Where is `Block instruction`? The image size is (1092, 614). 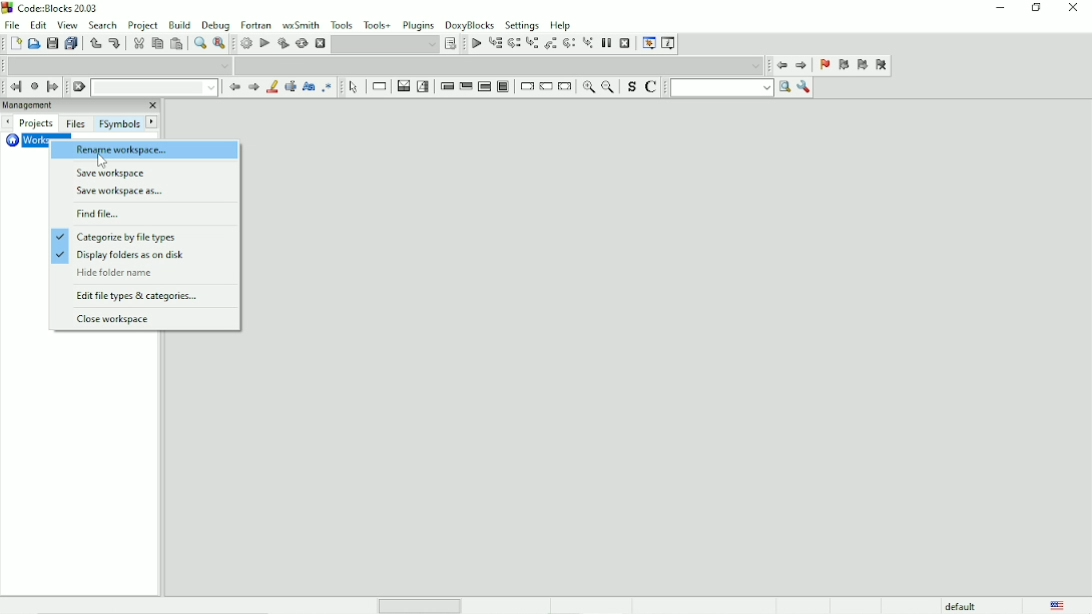
Block instruction is located at coordinates (504, 88).